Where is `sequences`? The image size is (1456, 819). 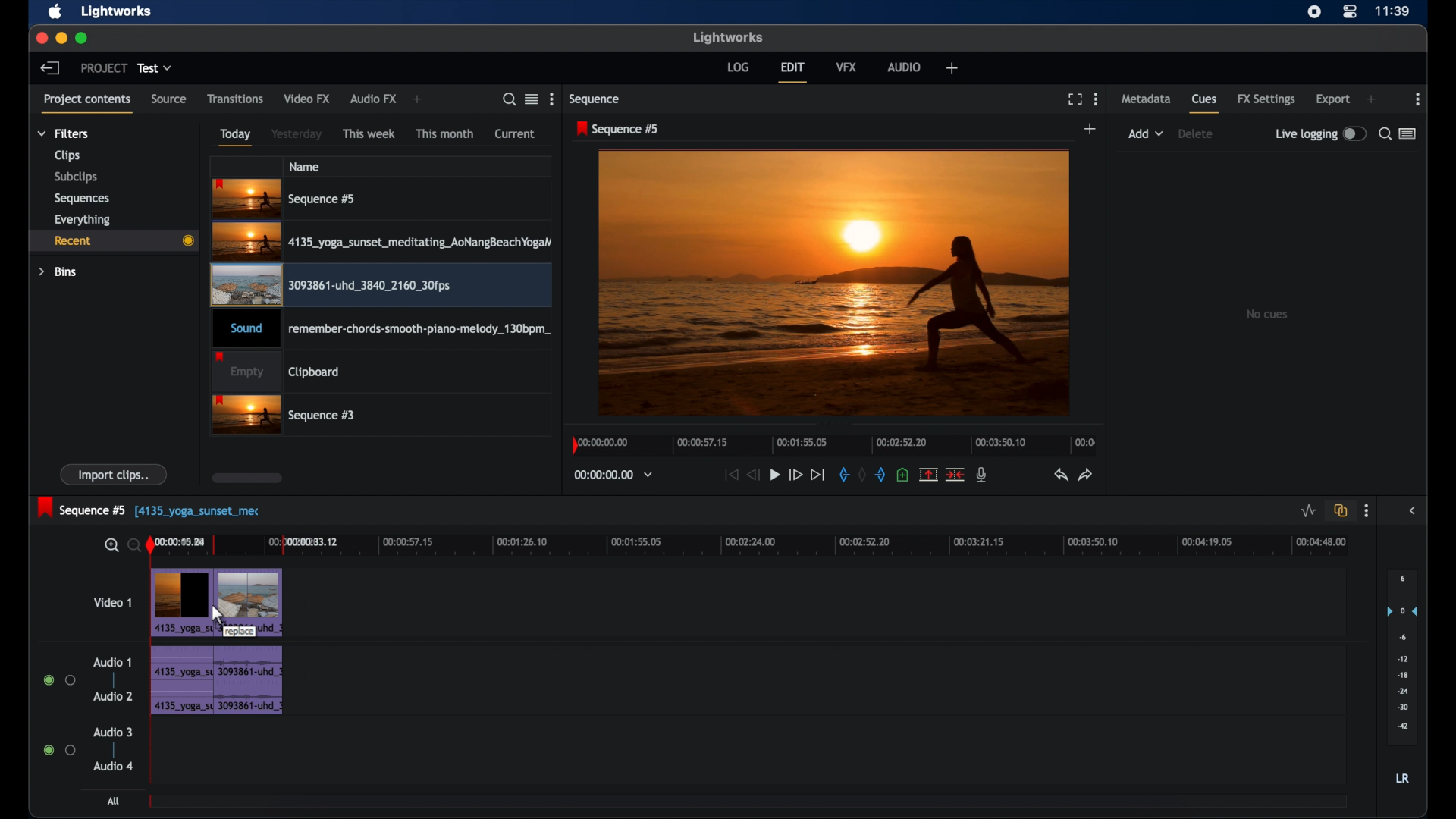 sequences is located at coordinates (81, 199).